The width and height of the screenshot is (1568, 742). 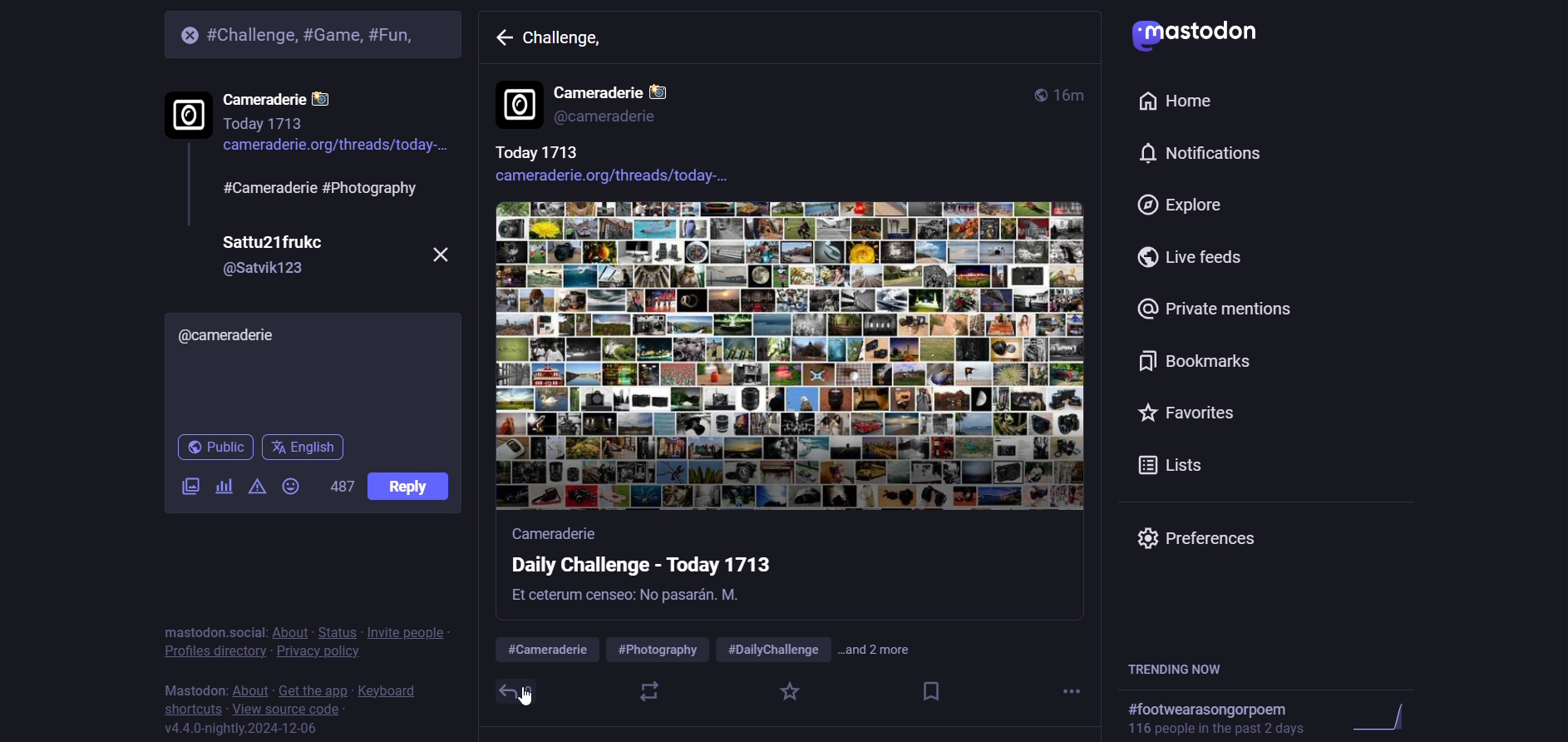 What do you see at coordinates (186, 112) in the screenshot?
I see `display picture` at bounding box center [186, 112].